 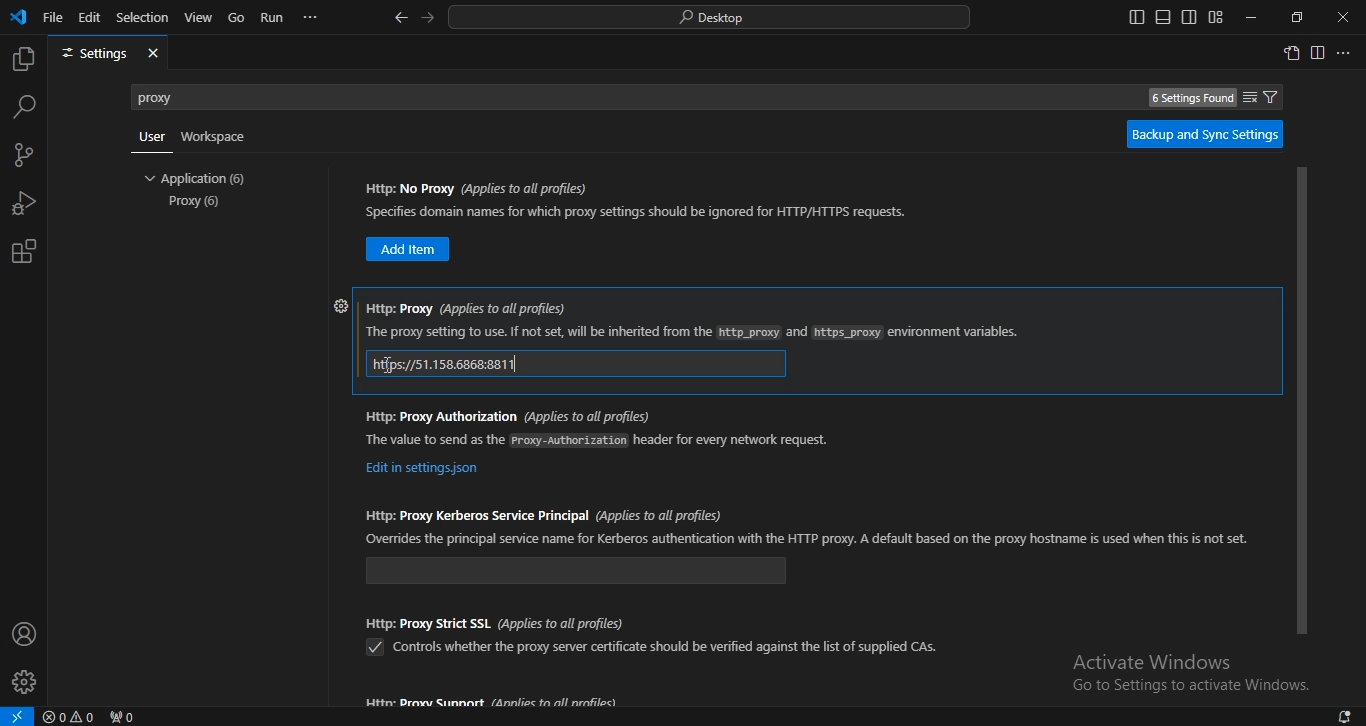 What do you see at coordinates (402, 18) in the screenshot?
I see `go back` at bounding box center [402, 18].